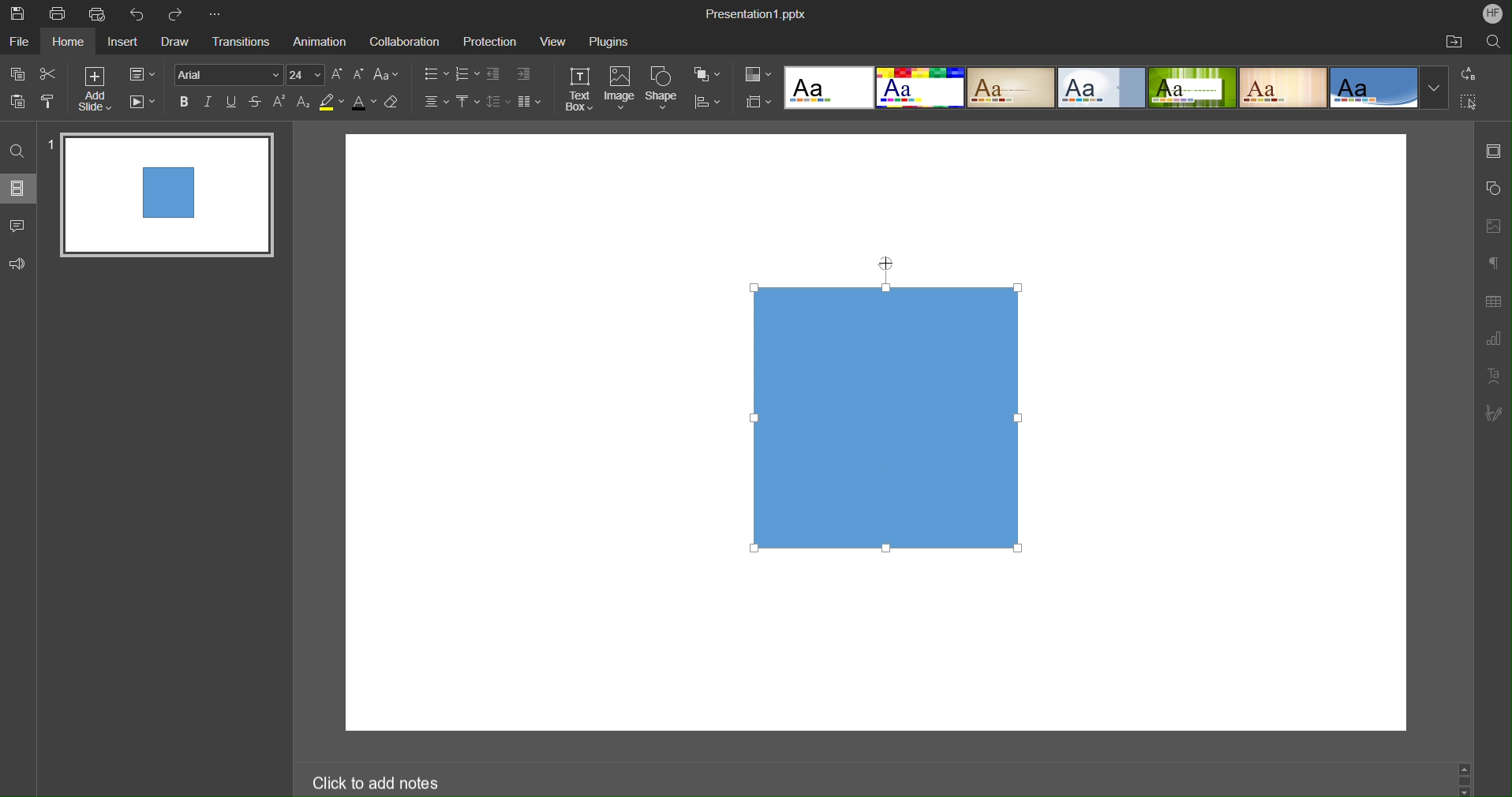 This screenshot has height=797, width=1512. Describe the element at coordinates (1493, 341) in the screenshot. I see `Graph` at that location.